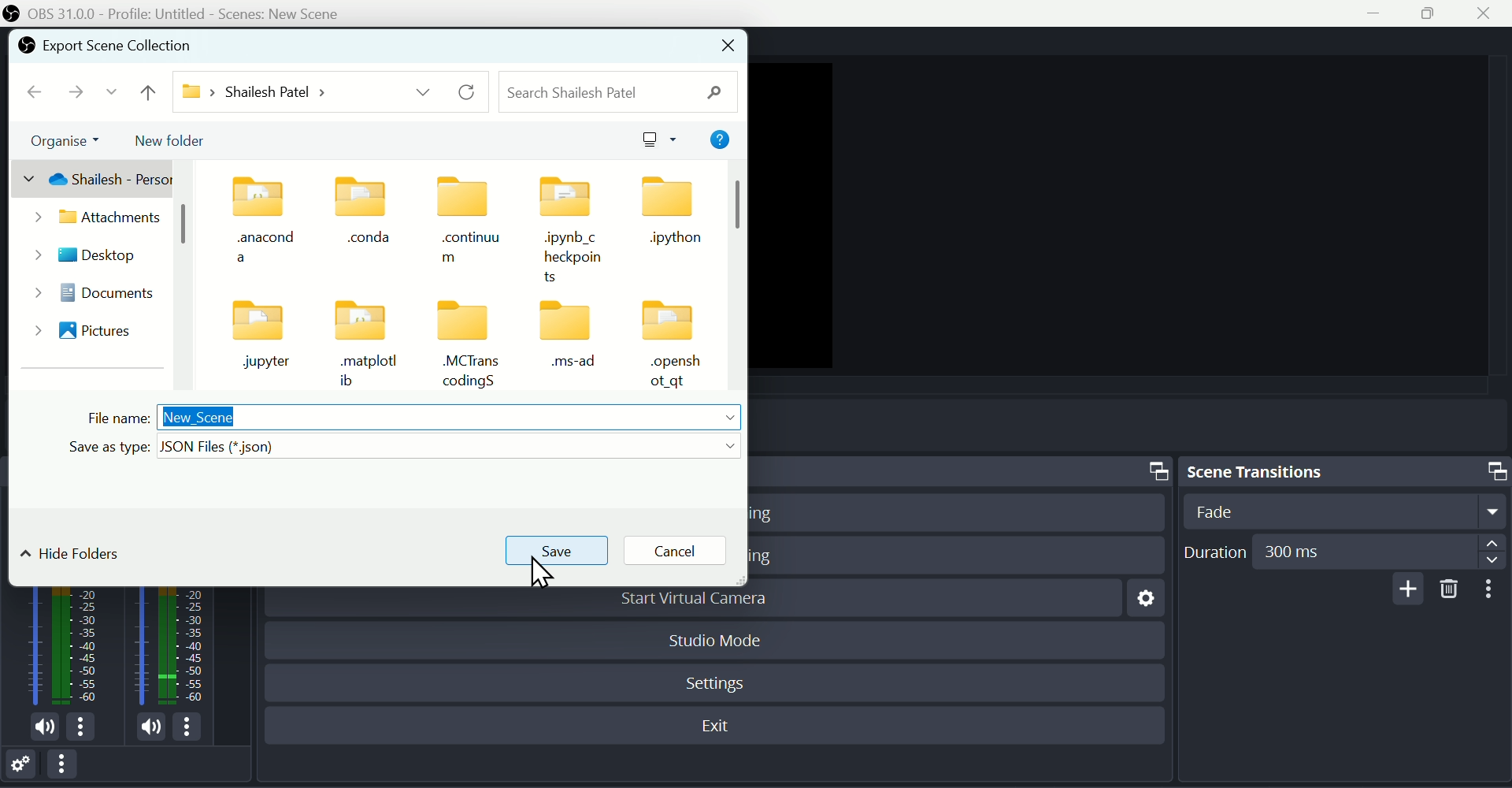 The width and height of the screenshot is (1512, 788). Describe the element at coordinates (1141, 603) in the screenshot. I see `Settings` at that location.